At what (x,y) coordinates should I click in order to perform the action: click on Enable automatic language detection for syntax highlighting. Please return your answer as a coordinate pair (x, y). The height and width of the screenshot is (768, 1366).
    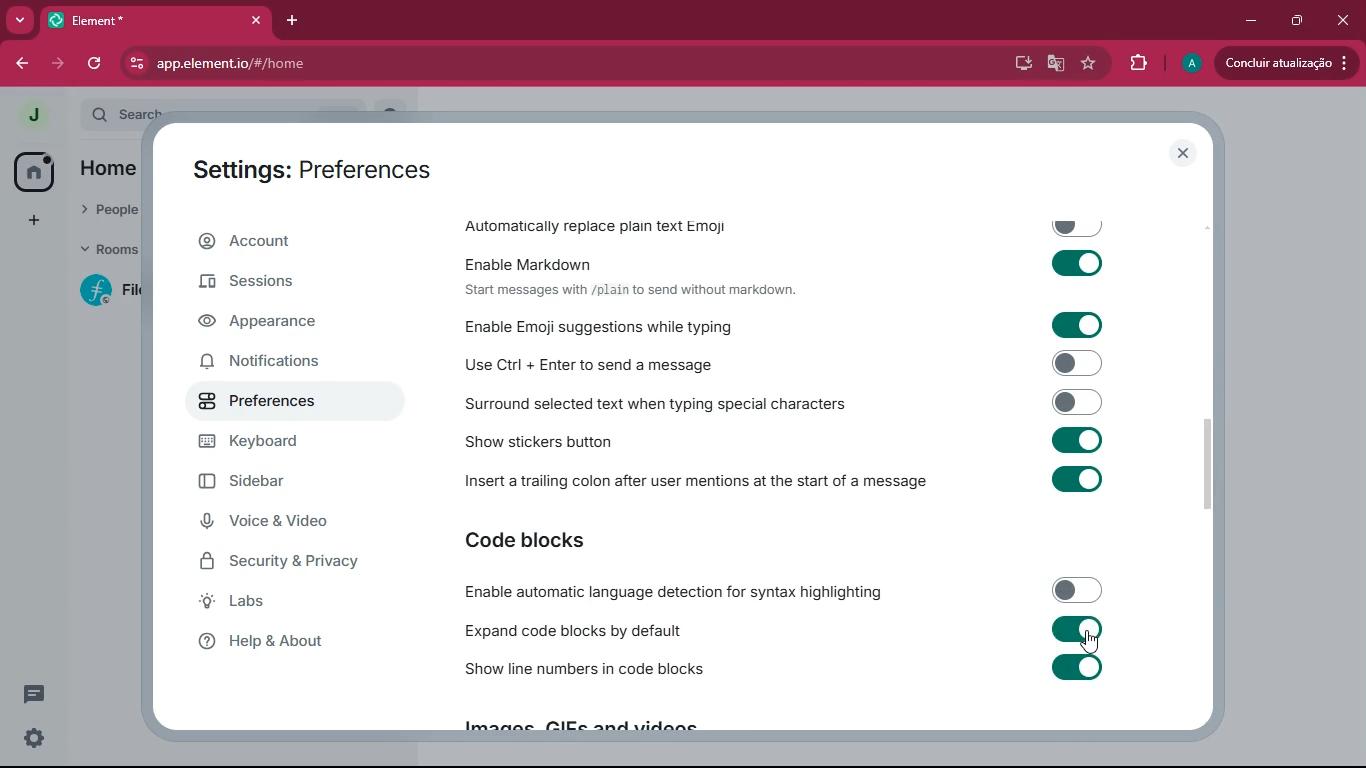
    Looking at the image, I should click on (782, 592).